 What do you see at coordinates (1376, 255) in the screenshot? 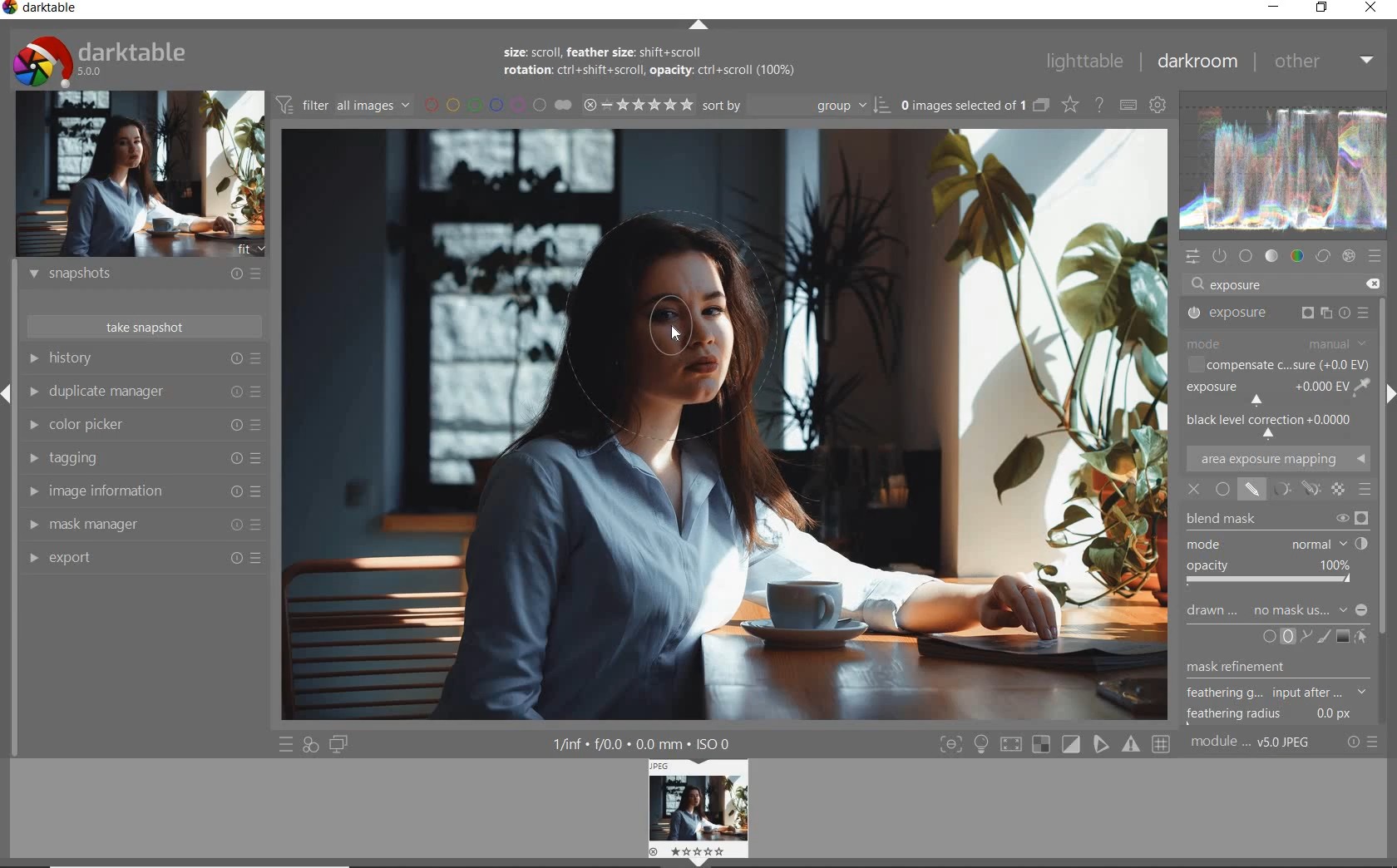
I see `presets` at bounding box center [1376, 255].